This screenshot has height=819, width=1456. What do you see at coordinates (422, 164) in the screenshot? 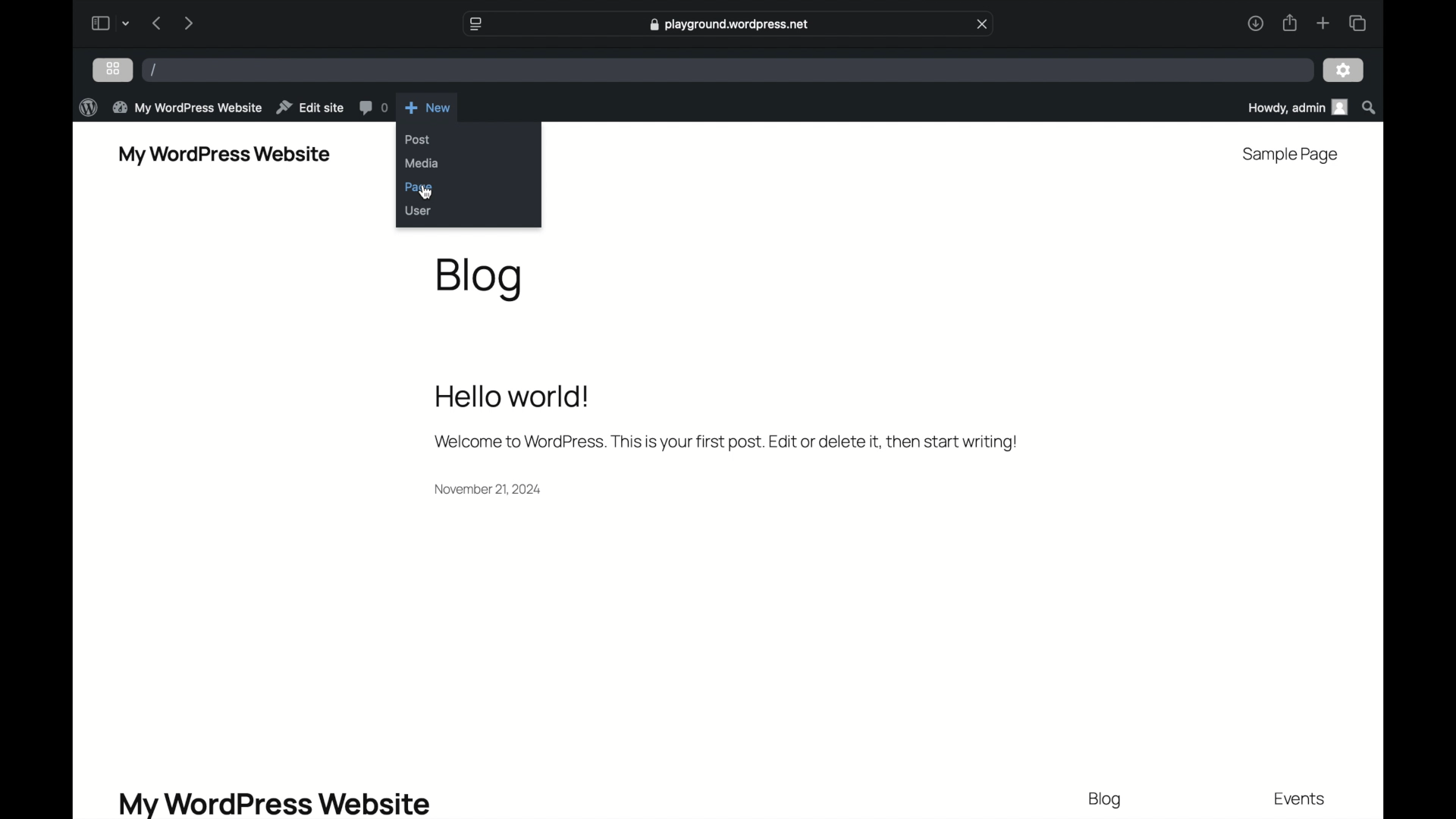
I see `media` at bounding box center [422, 164].